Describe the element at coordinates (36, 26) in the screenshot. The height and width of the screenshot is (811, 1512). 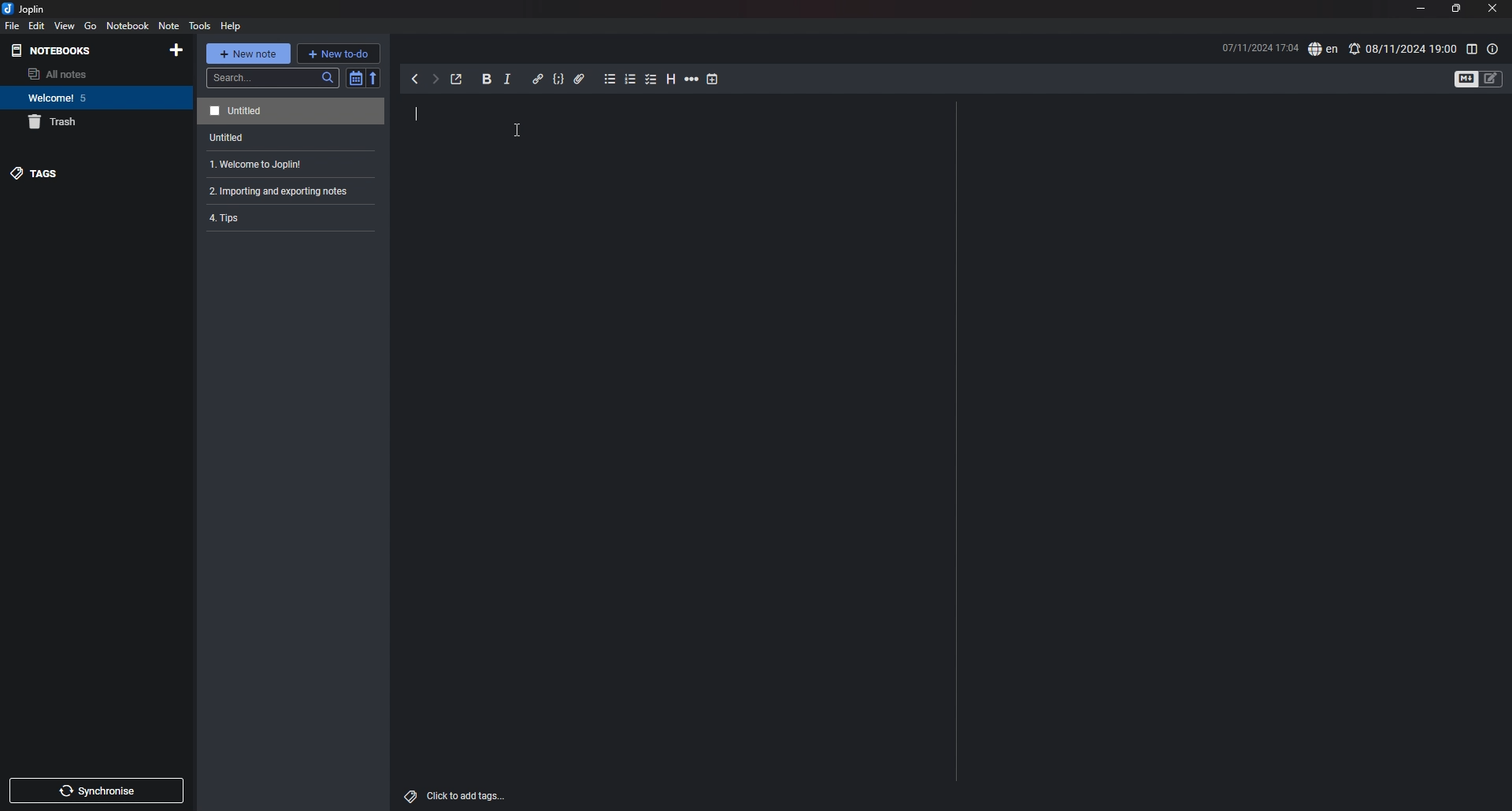
I see `edit` at that location.